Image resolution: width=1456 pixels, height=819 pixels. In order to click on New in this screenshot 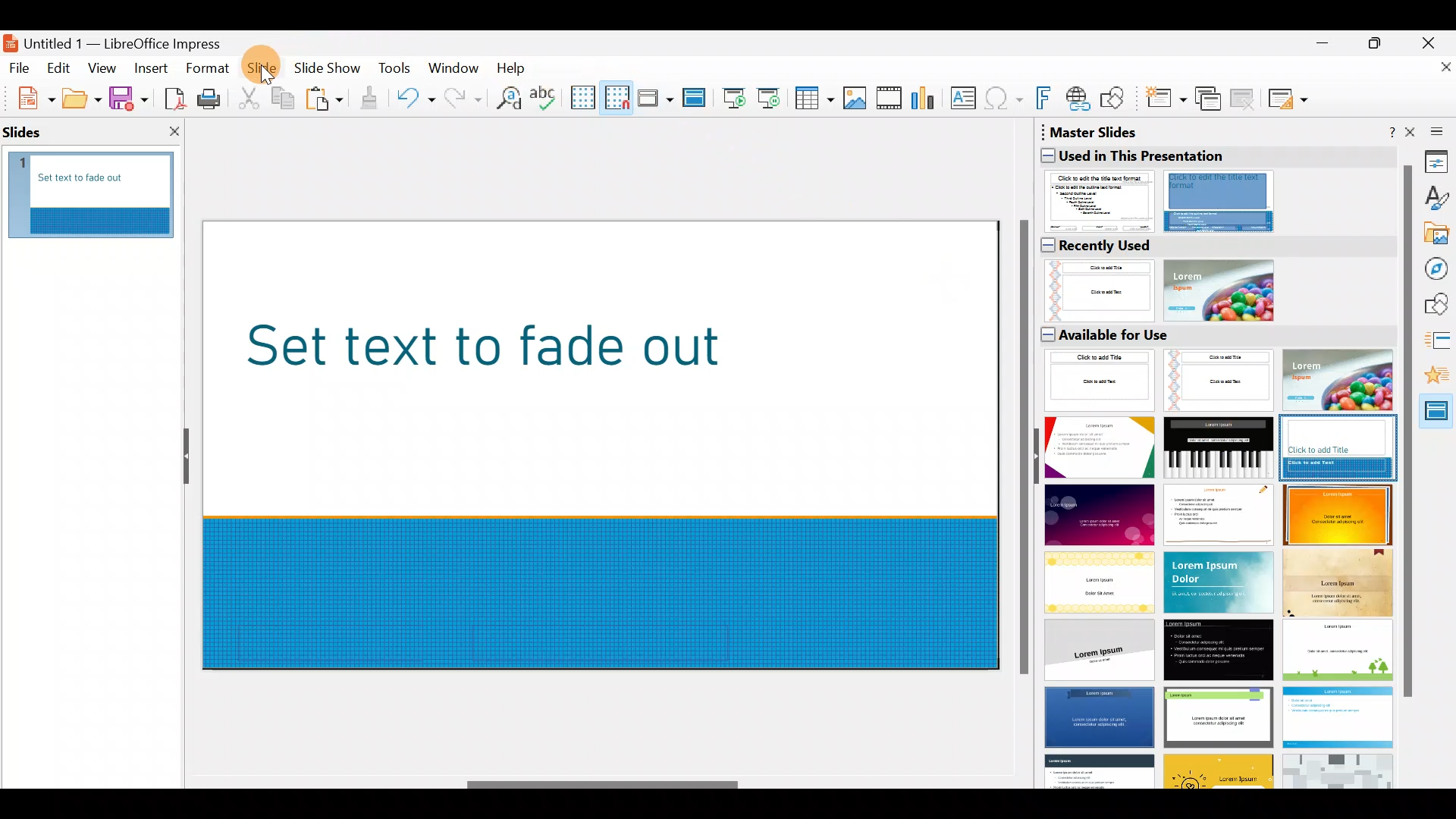, I will do `click(28, 96)`.